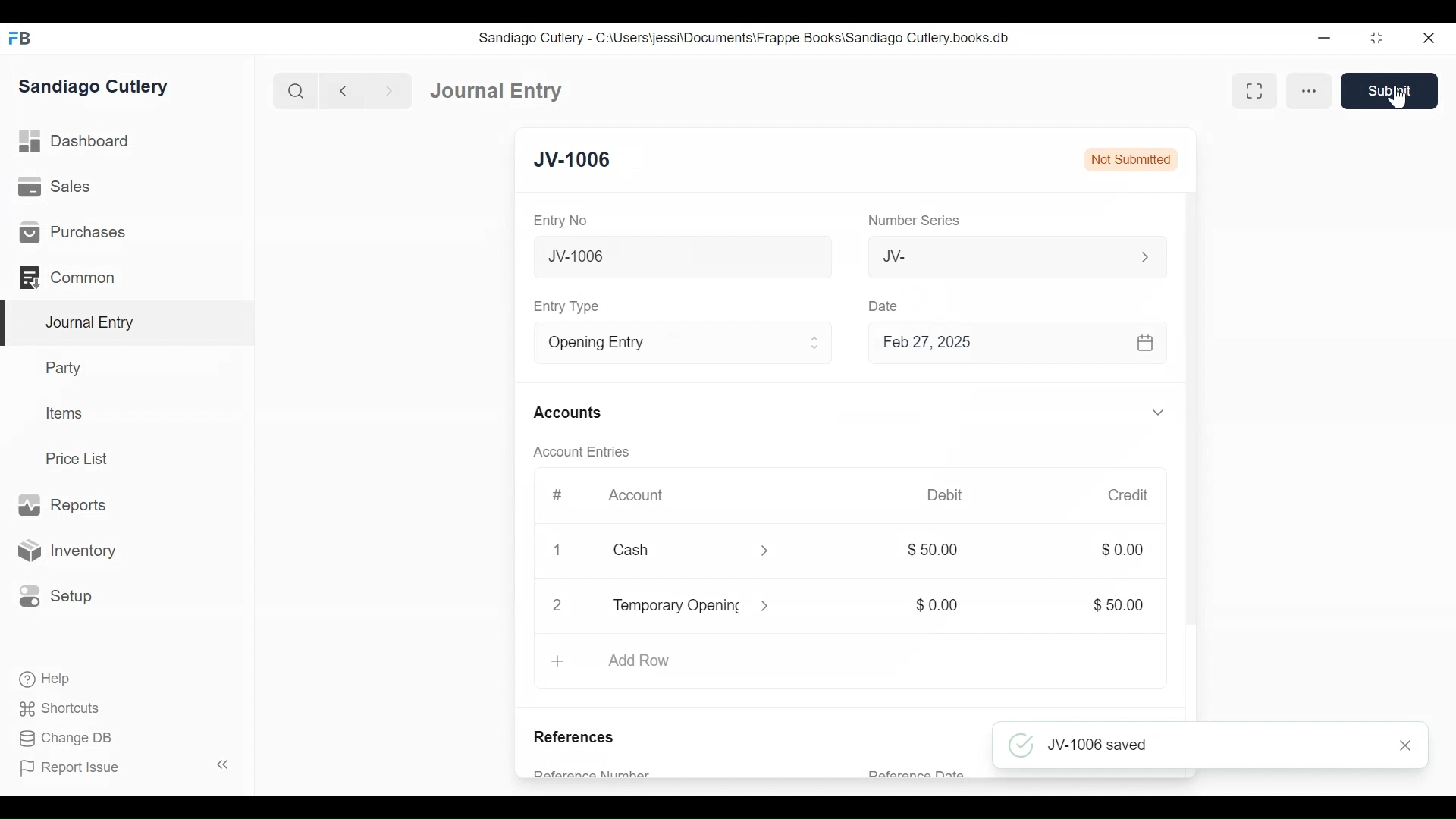  I want to click on Party, so click(66, 367).